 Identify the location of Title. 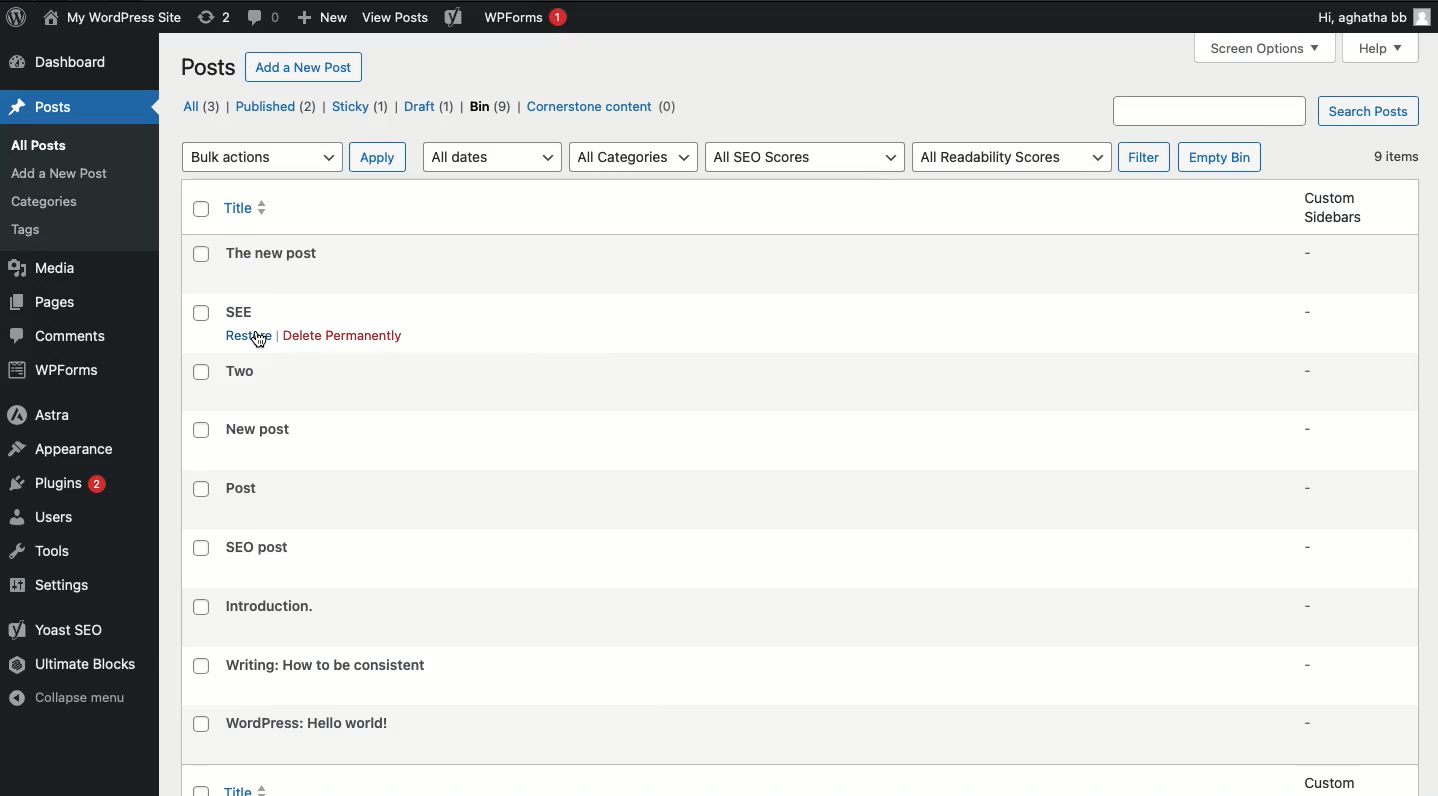
(243, 488).